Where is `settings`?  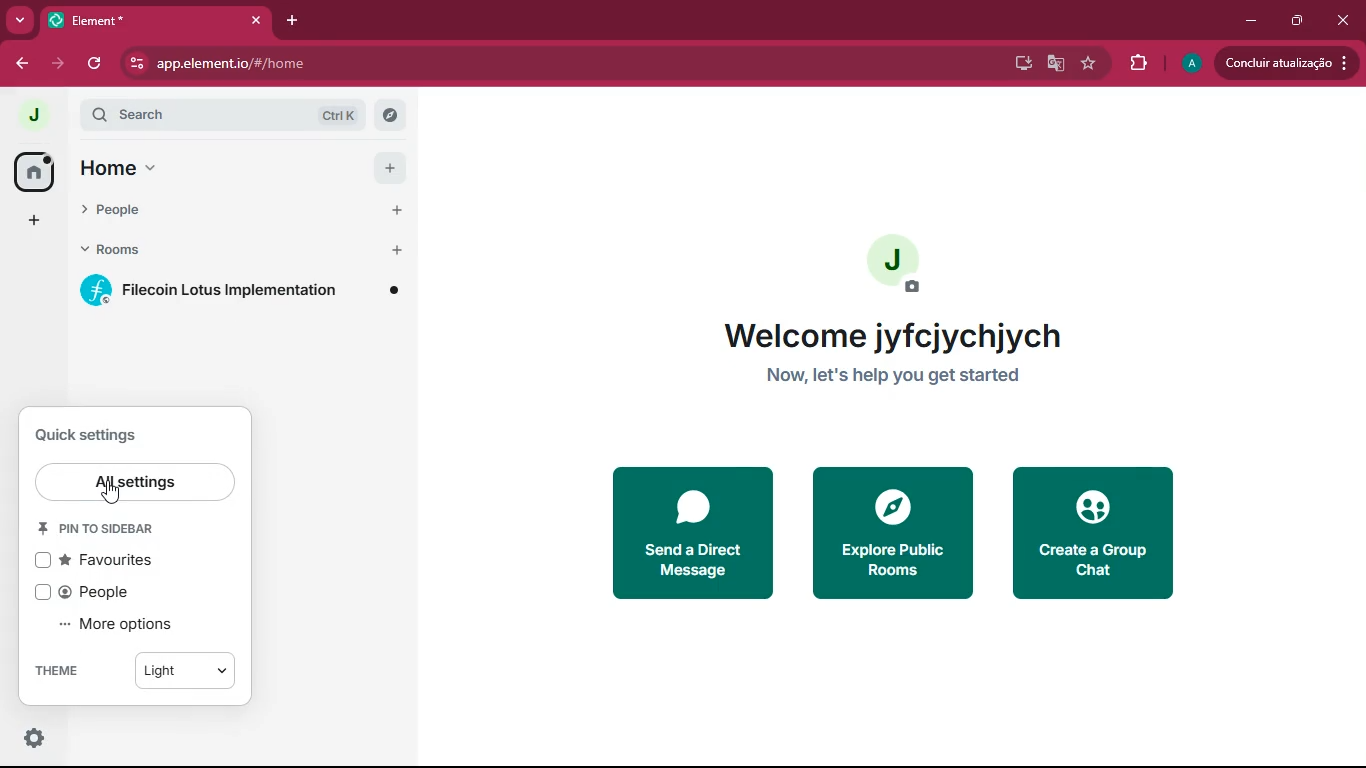 settings is located at coordinates (102, 431).